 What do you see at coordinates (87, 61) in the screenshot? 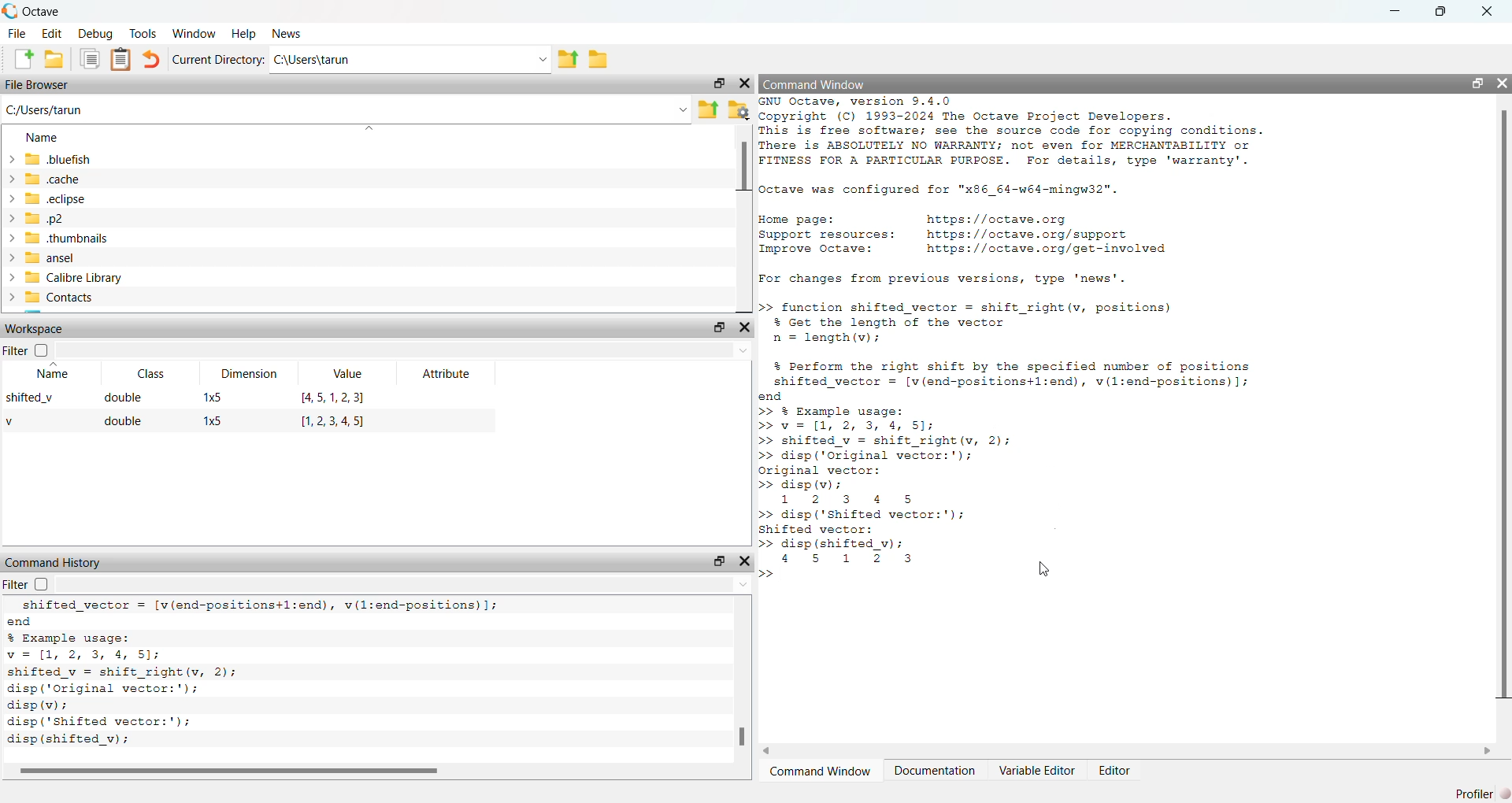
I see `copy` at bounding box center [87, 61].